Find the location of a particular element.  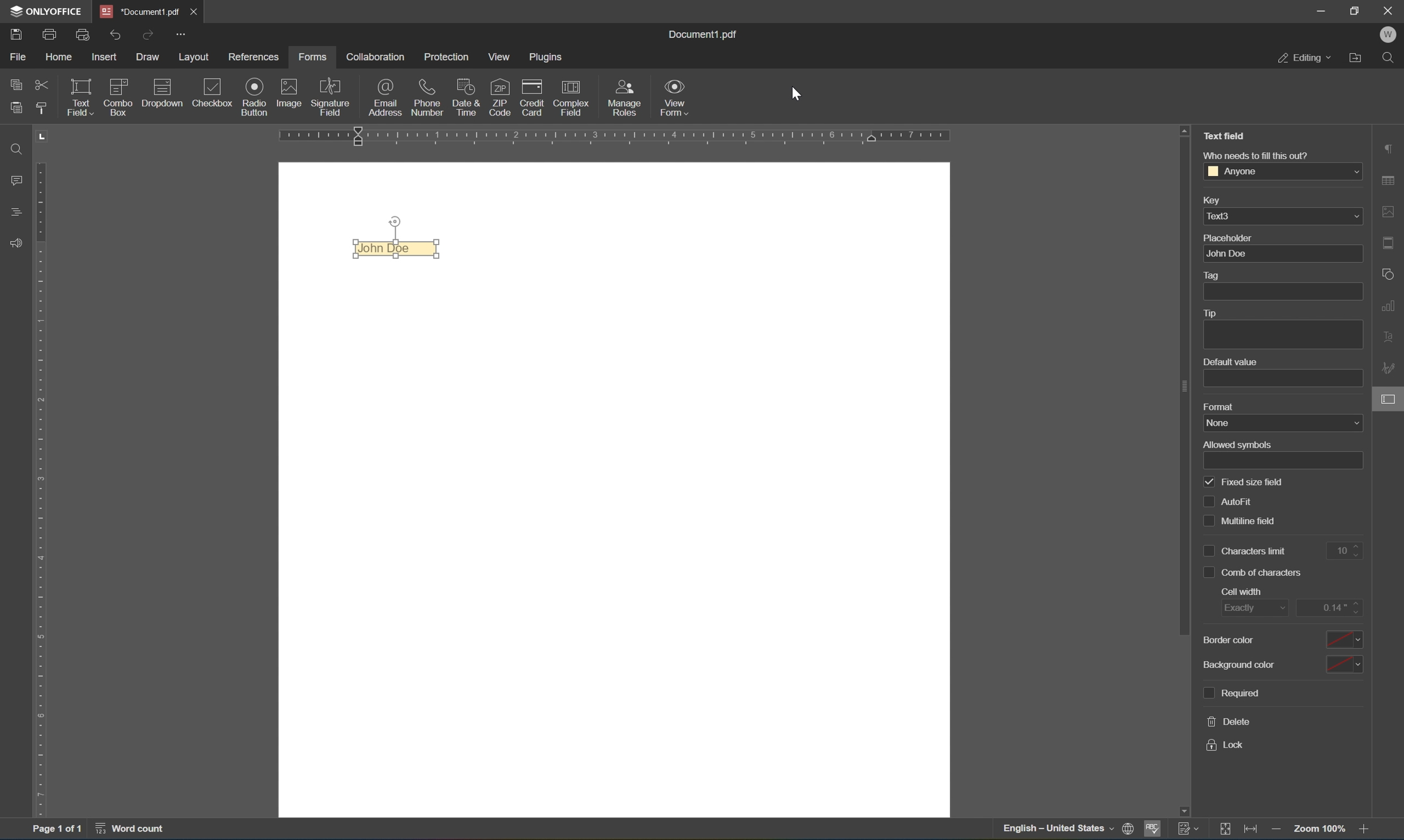

credit card is located at coordinates (533, 96).